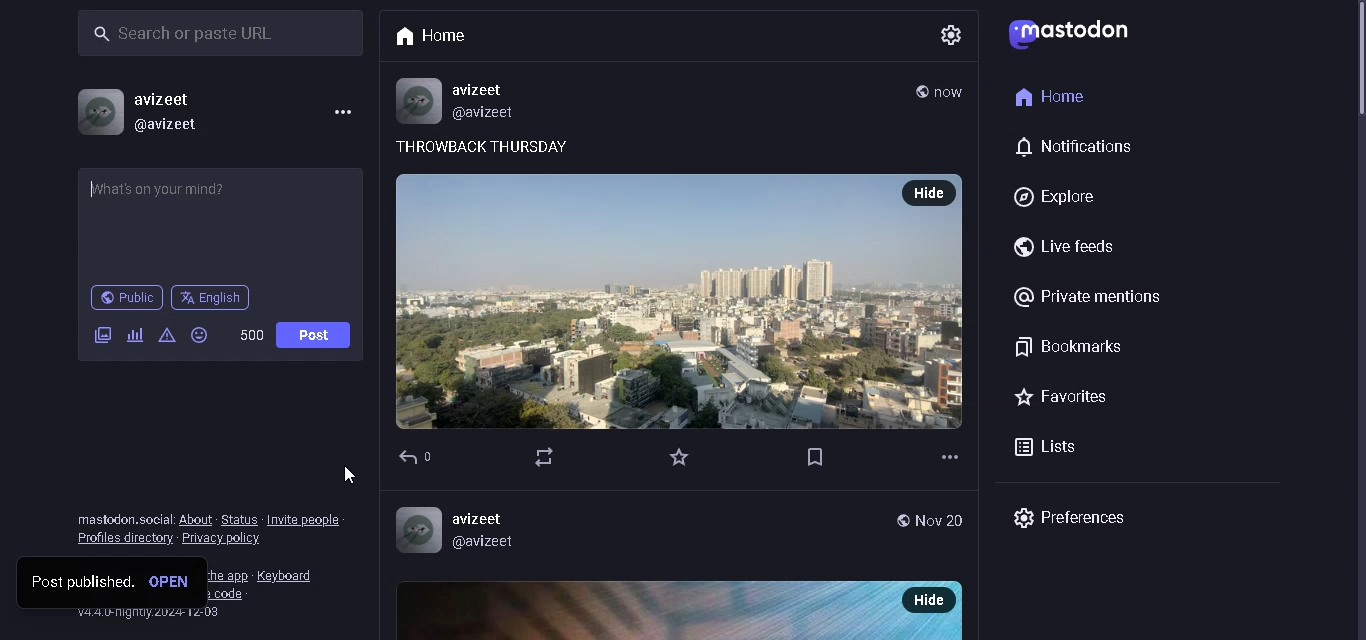  What do you see at coordinates (439, 39) in the screenshot?
I see `Home tab` at bounding box center [439, 39].